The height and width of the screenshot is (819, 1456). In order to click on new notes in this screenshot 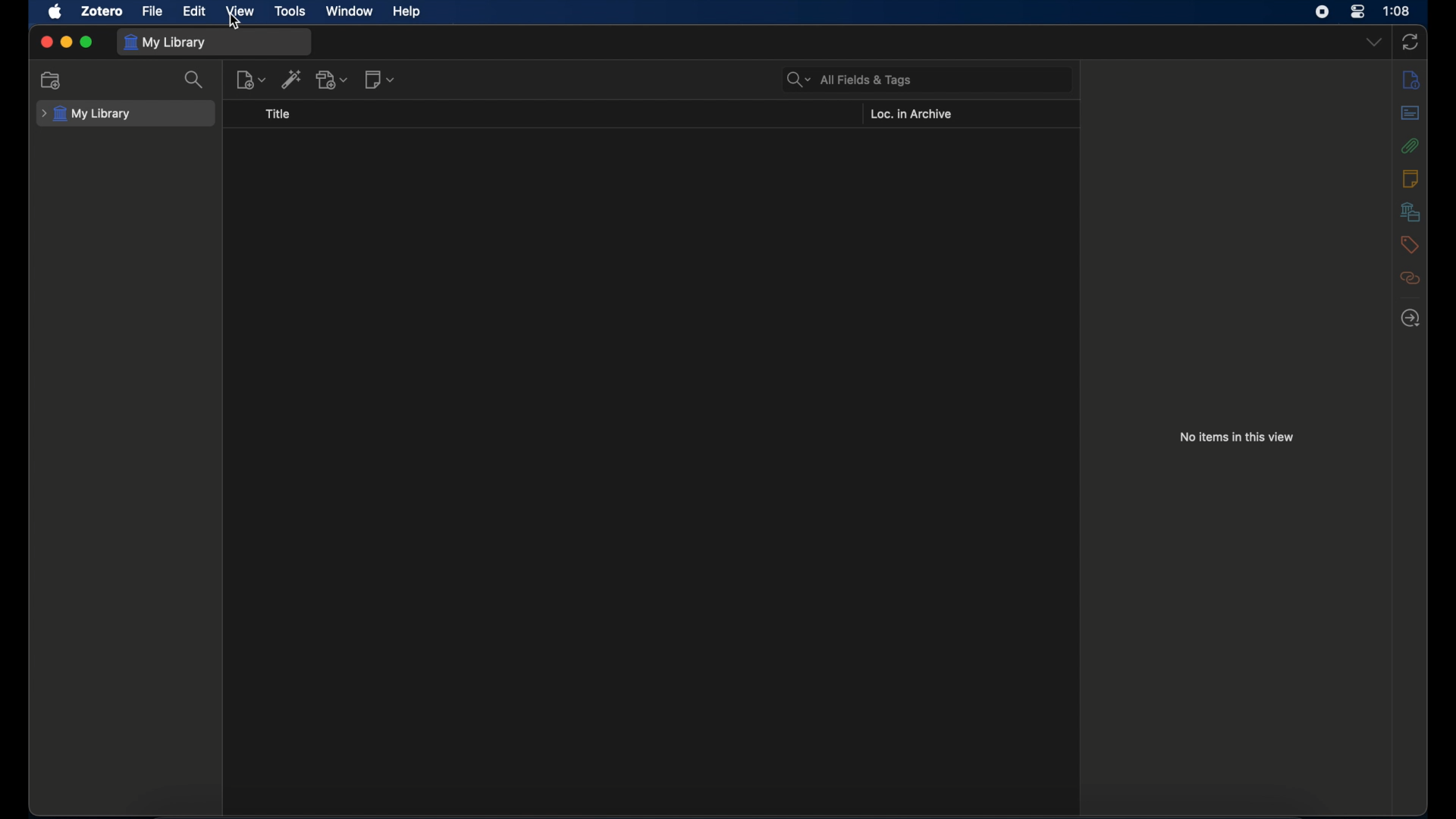, I will do `click(381, 80)`.